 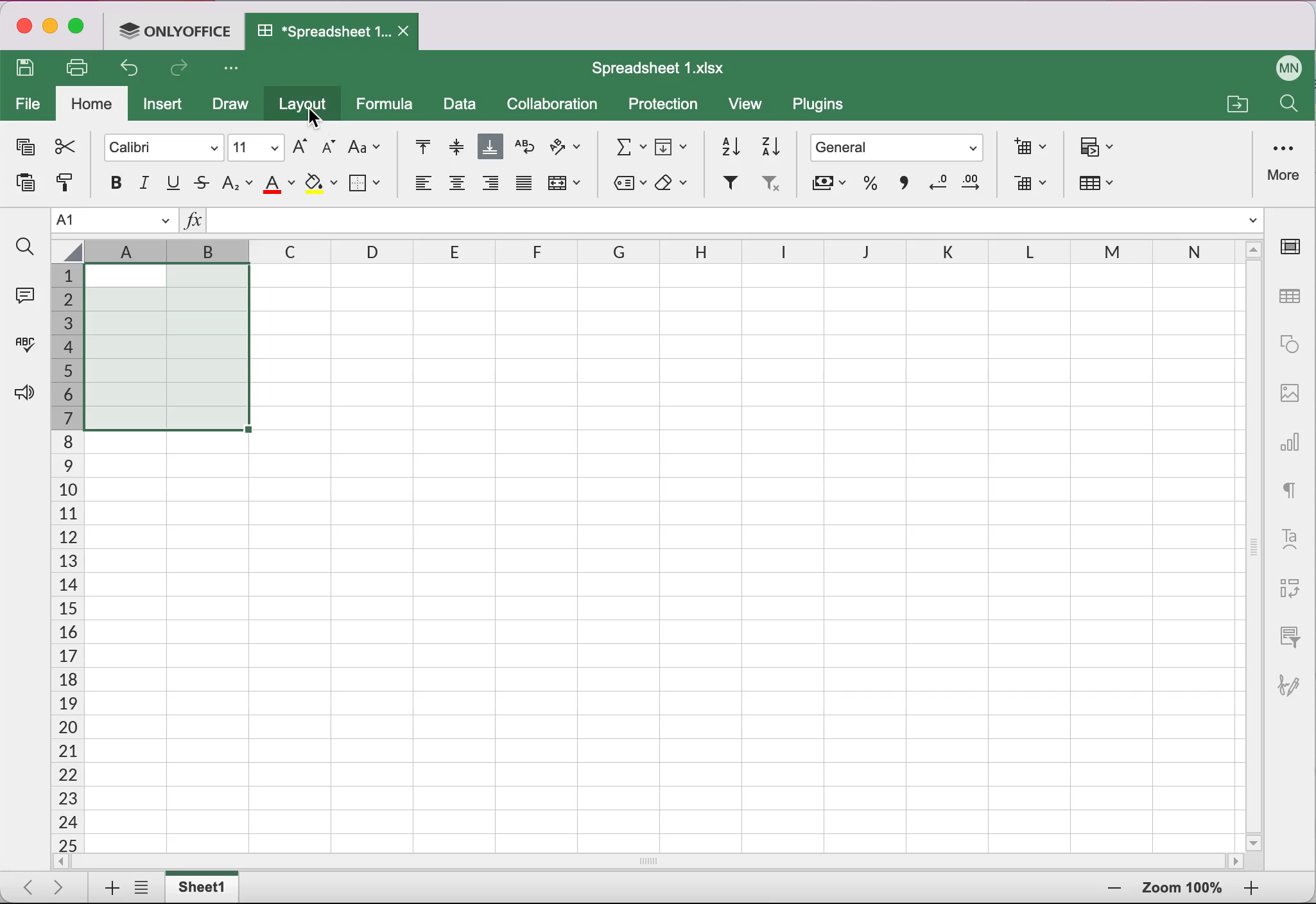 What do you see at coordinates (64, 886) in the screenshot?
I see `Scroll to last sheet` at bounding box center [64, 886].